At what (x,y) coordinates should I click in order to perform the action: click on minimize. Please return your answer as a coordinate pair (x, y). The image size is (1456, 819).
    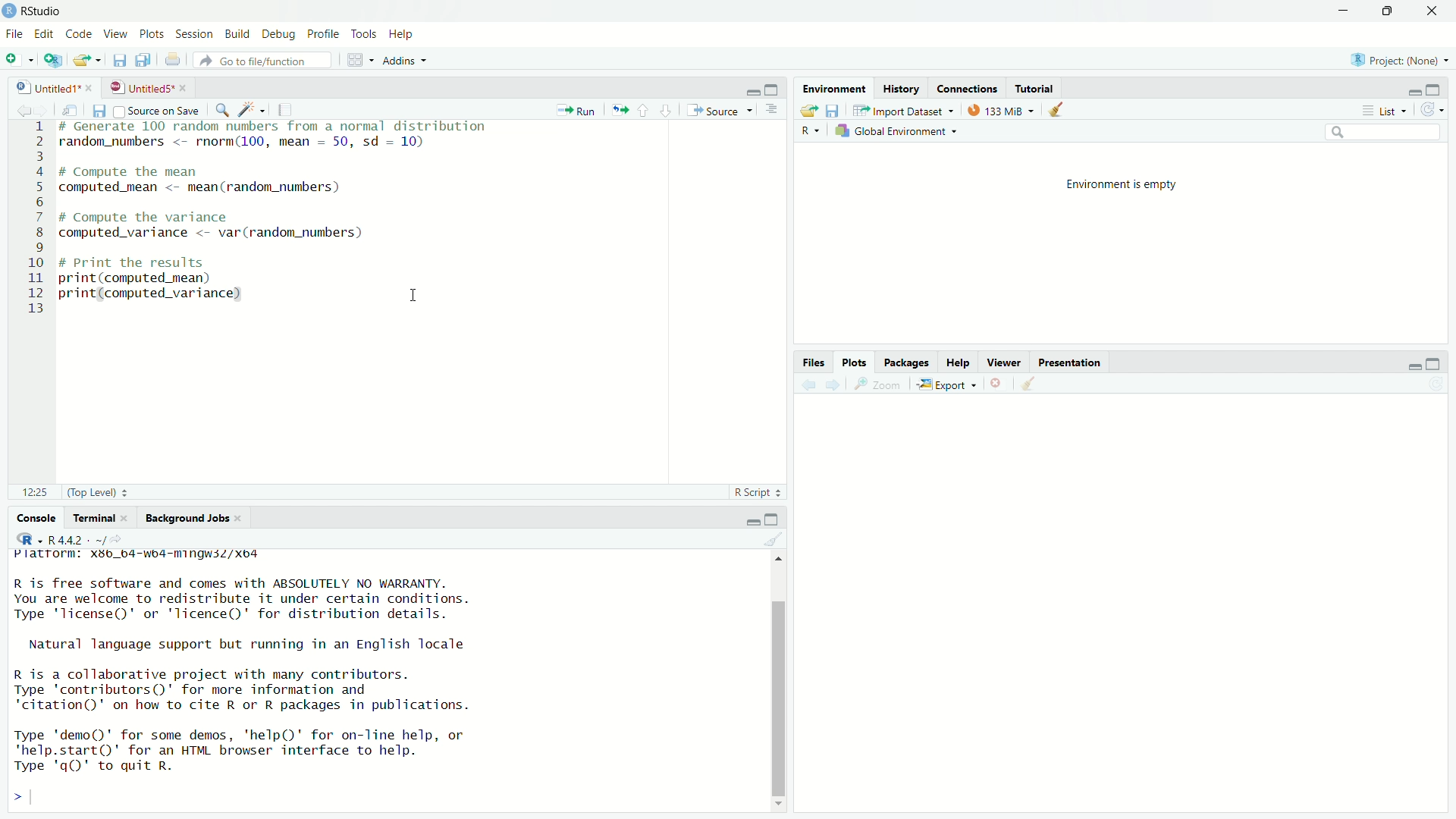
    Looking at the image, I should click on (1409, 89).